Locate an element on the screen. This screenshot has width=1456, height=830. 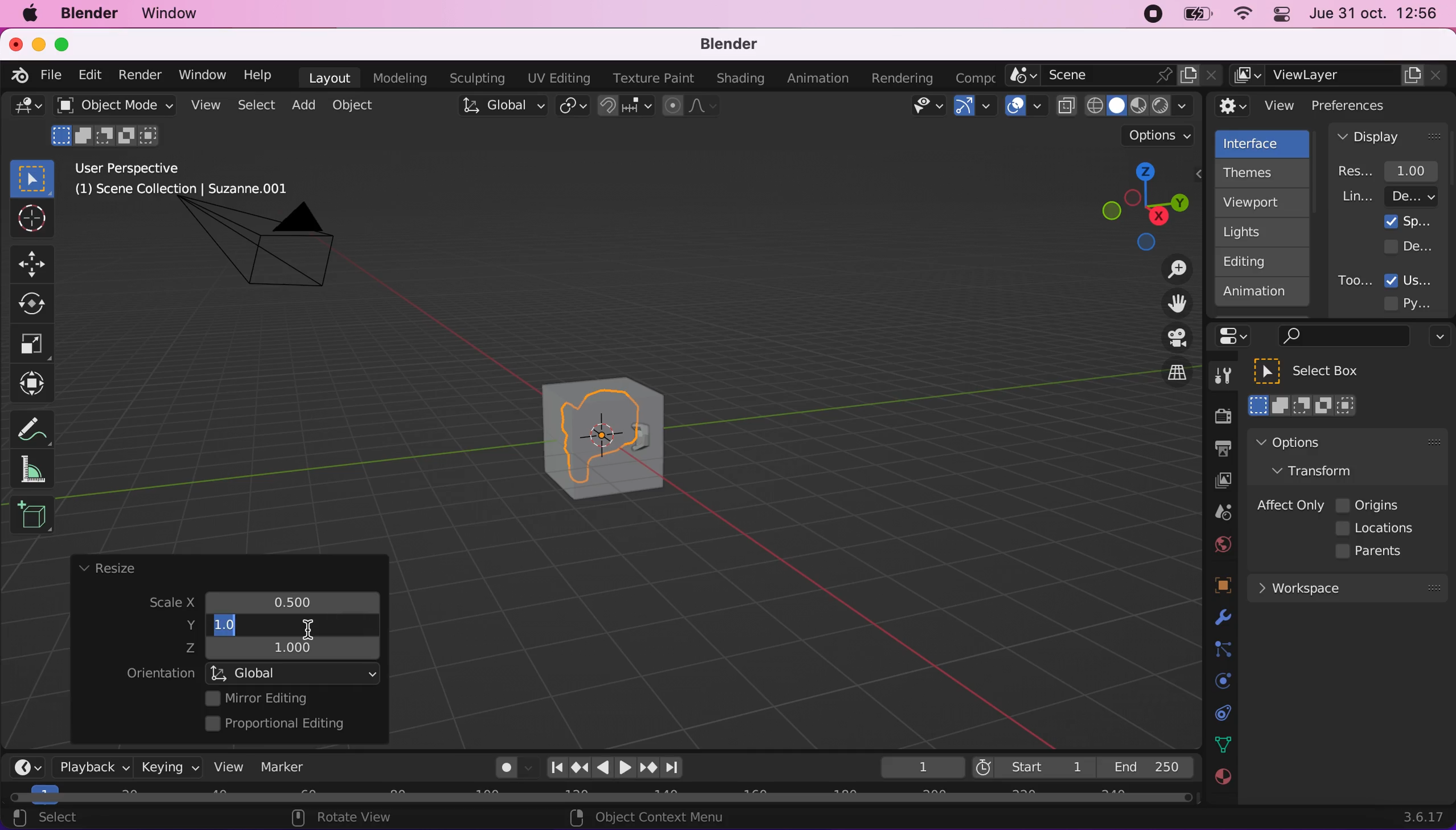
view is located at coordinates (224, 766).